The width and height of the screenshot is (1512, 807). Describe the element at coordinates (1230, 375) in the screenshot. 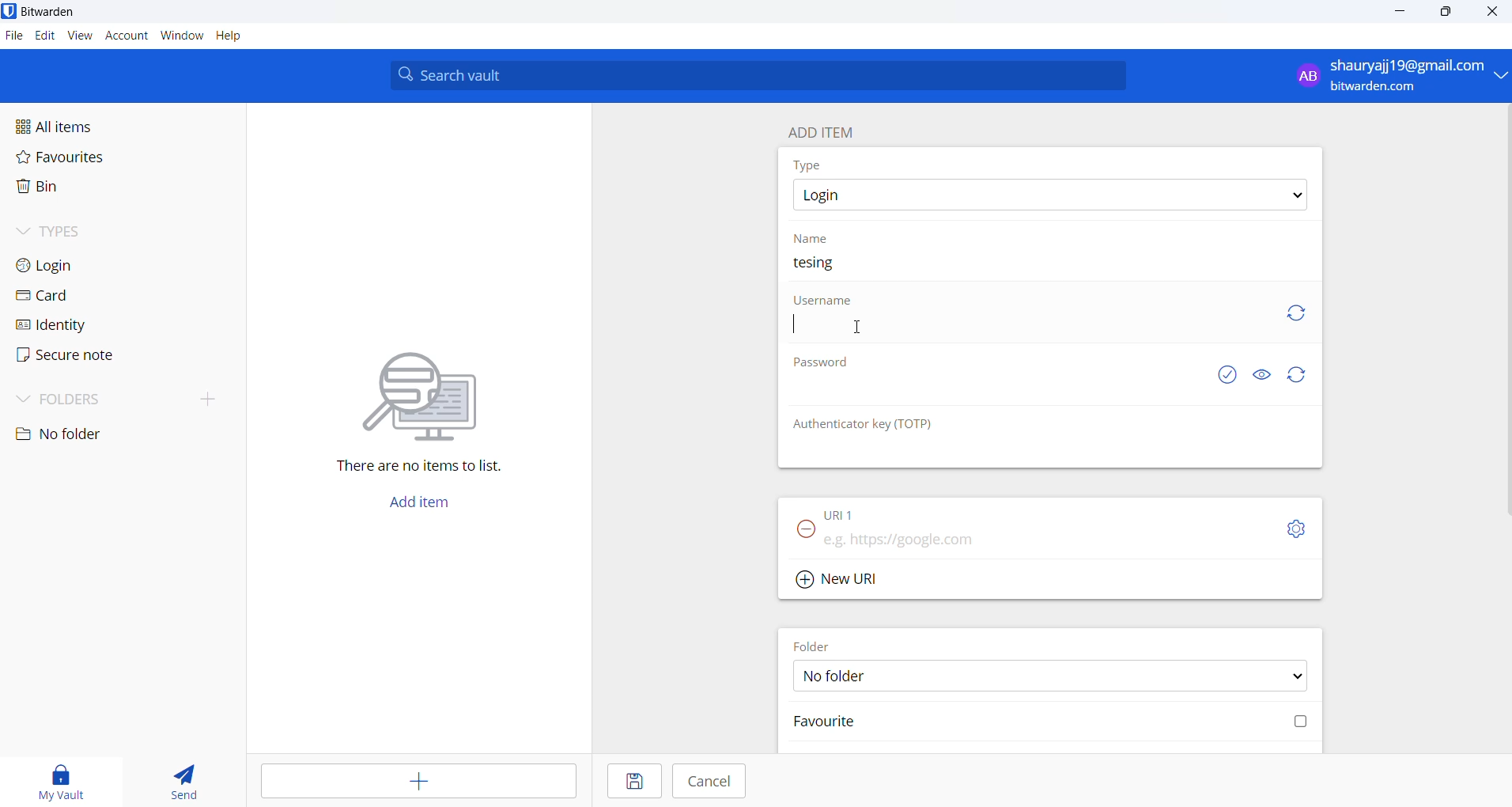

I see `check if password is exposed or not` at that location.